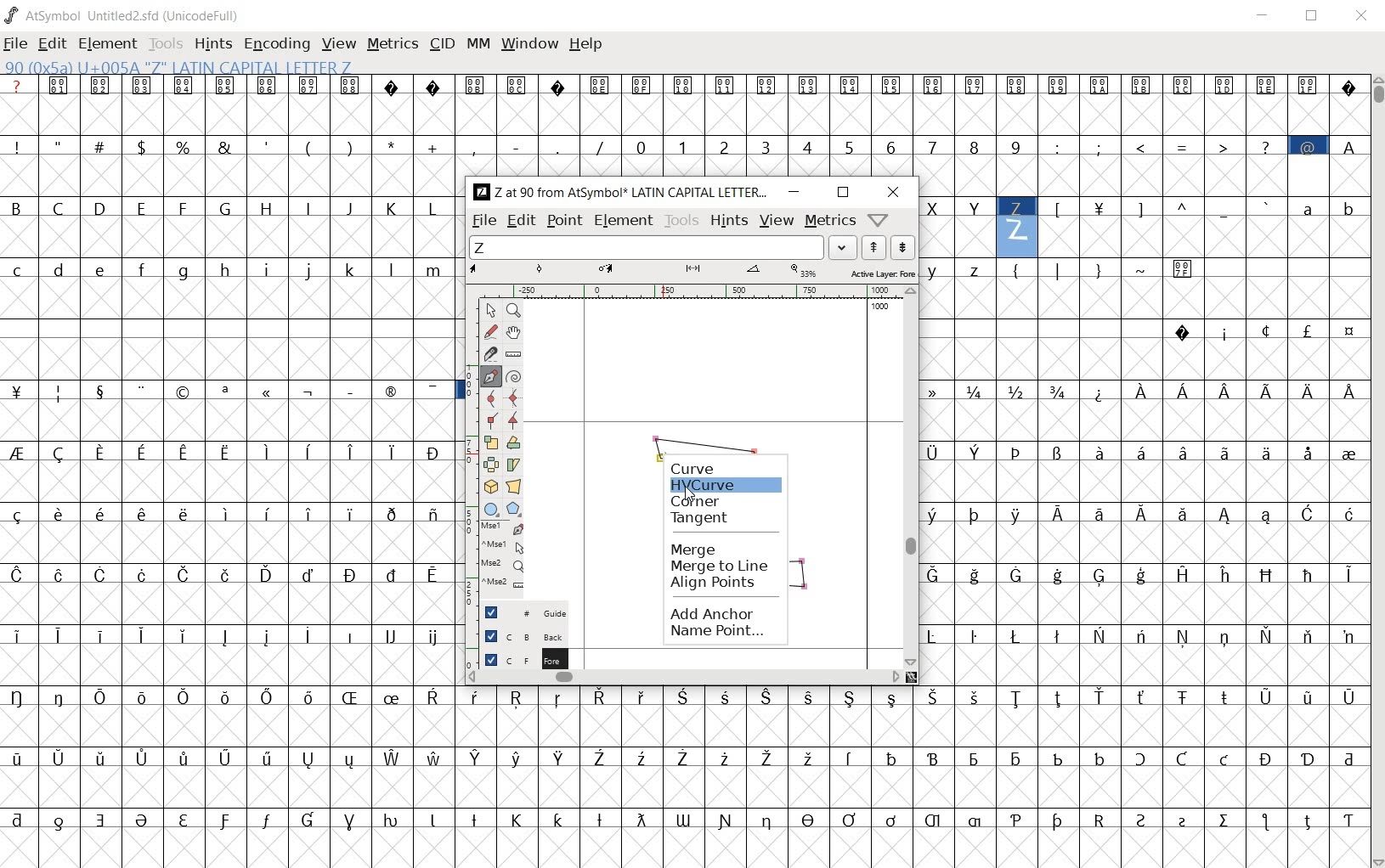 Image resolution: width=1385 pixels, height=868 pixels. Describe the element at coordinates (909, 476) in the screenshot. I see `scrollbar` at that location.